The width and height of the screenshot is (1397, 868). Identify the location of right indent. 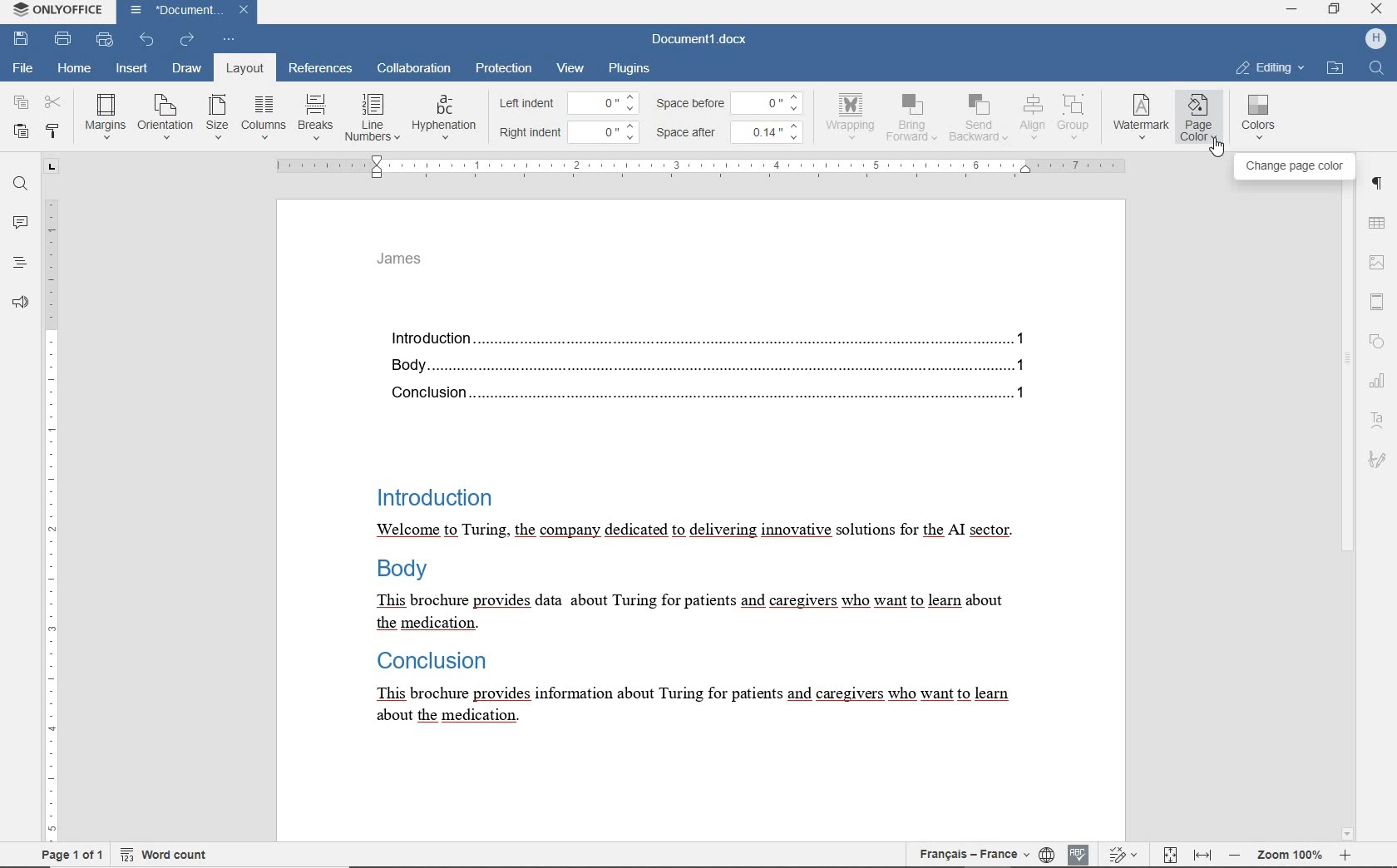
(528, 132).